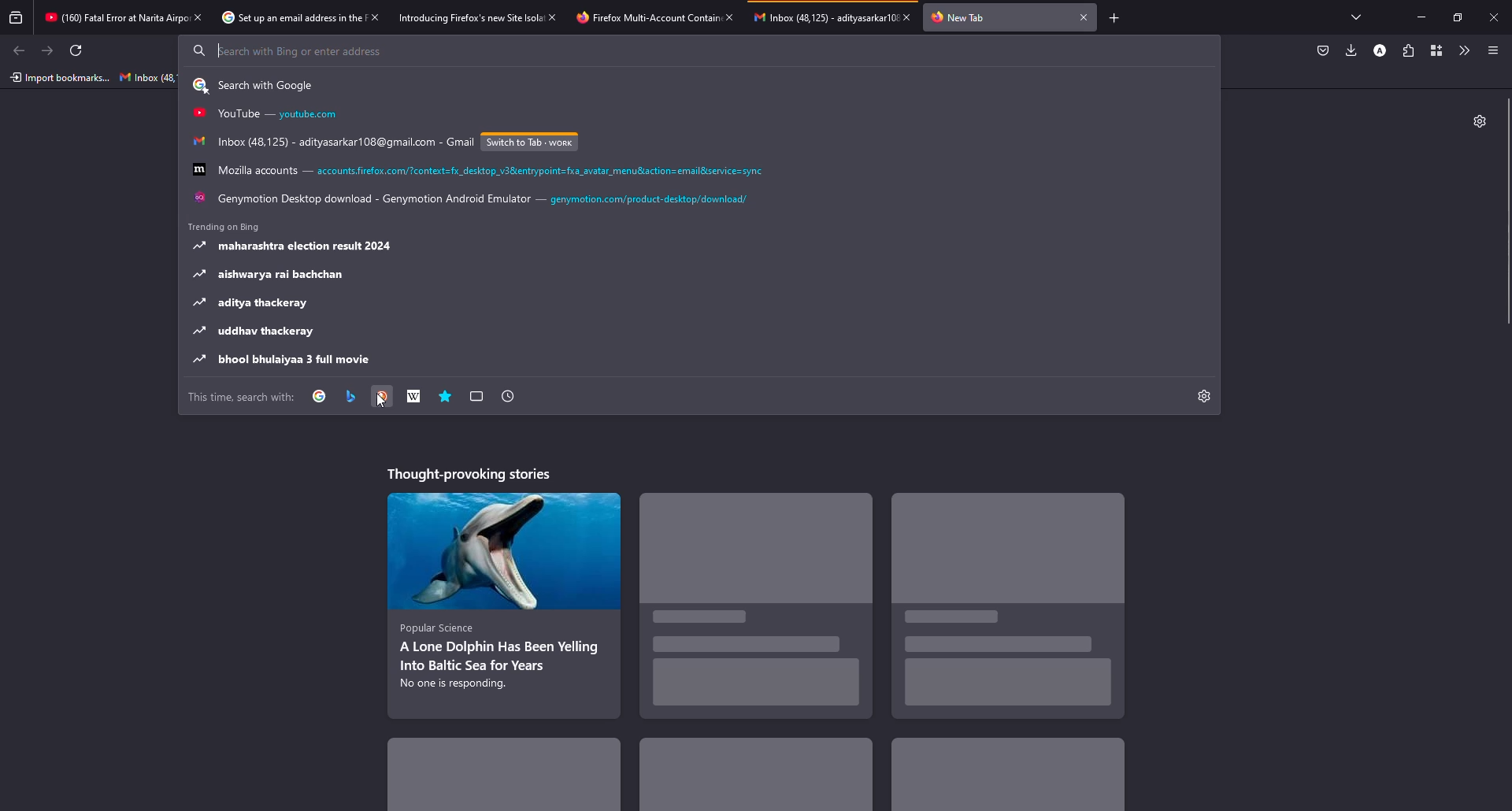 The height and width of the screenshot is (811, 1512). I want to click on container, so click(1434, 50).